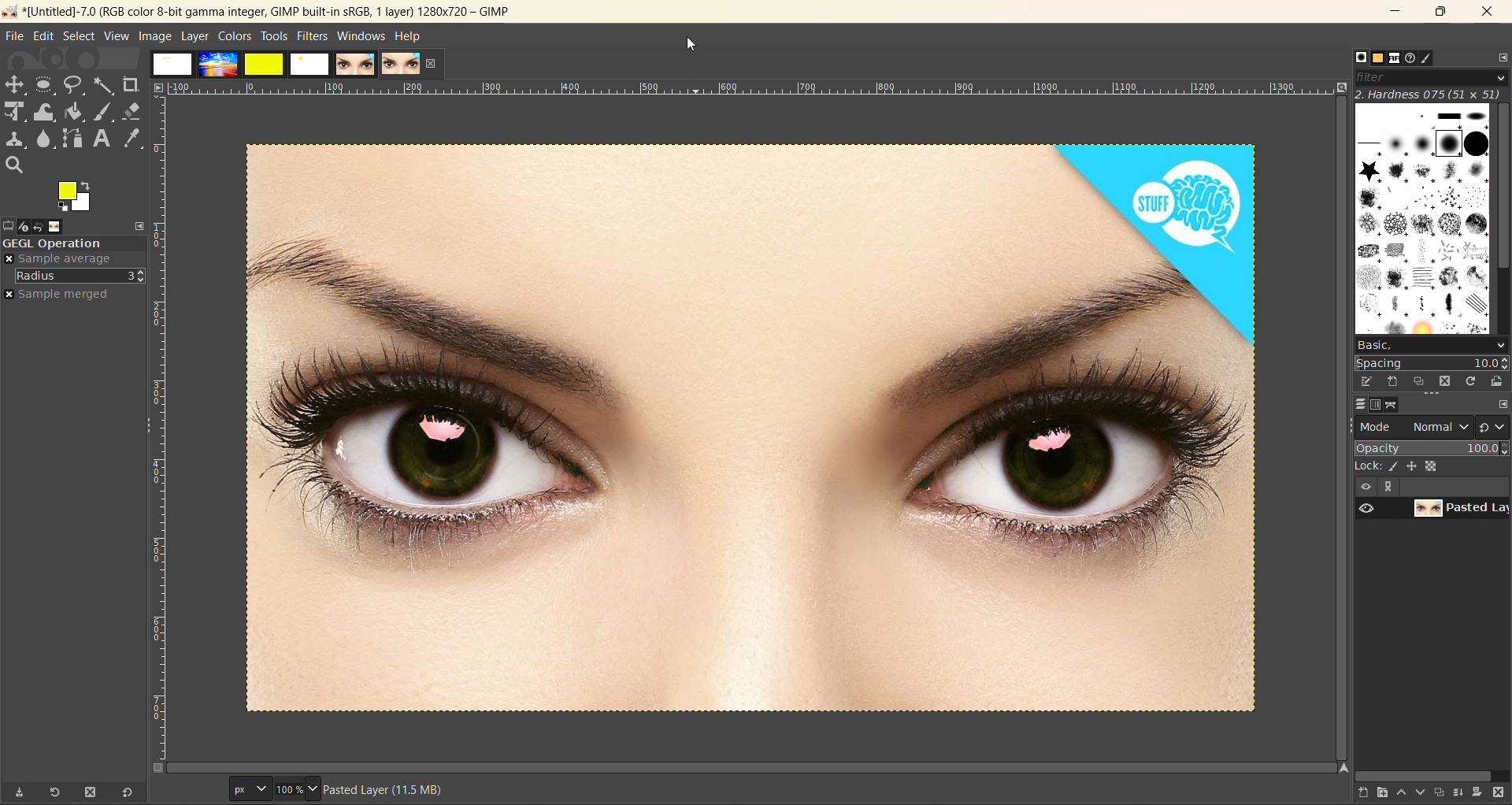 The height and width of the screenshot is (805, 1512). What do you see at coordinates (761, 427) in the screenshot?
I see `image with red eyes removed` at bounding box center [761, 427].